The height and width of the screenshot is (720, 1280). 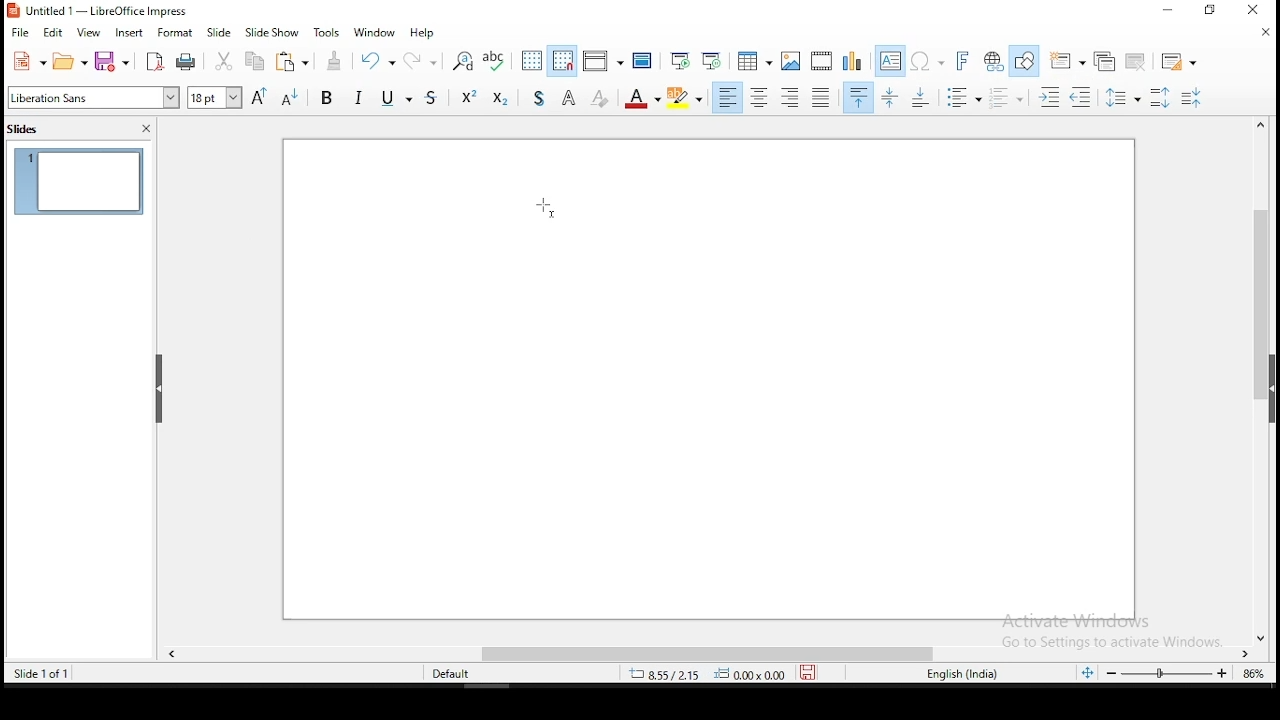 What do you see at coordinates (1167, 673) in the screenshot?
I see `zoom slider` at bounding box center [1167, 673].